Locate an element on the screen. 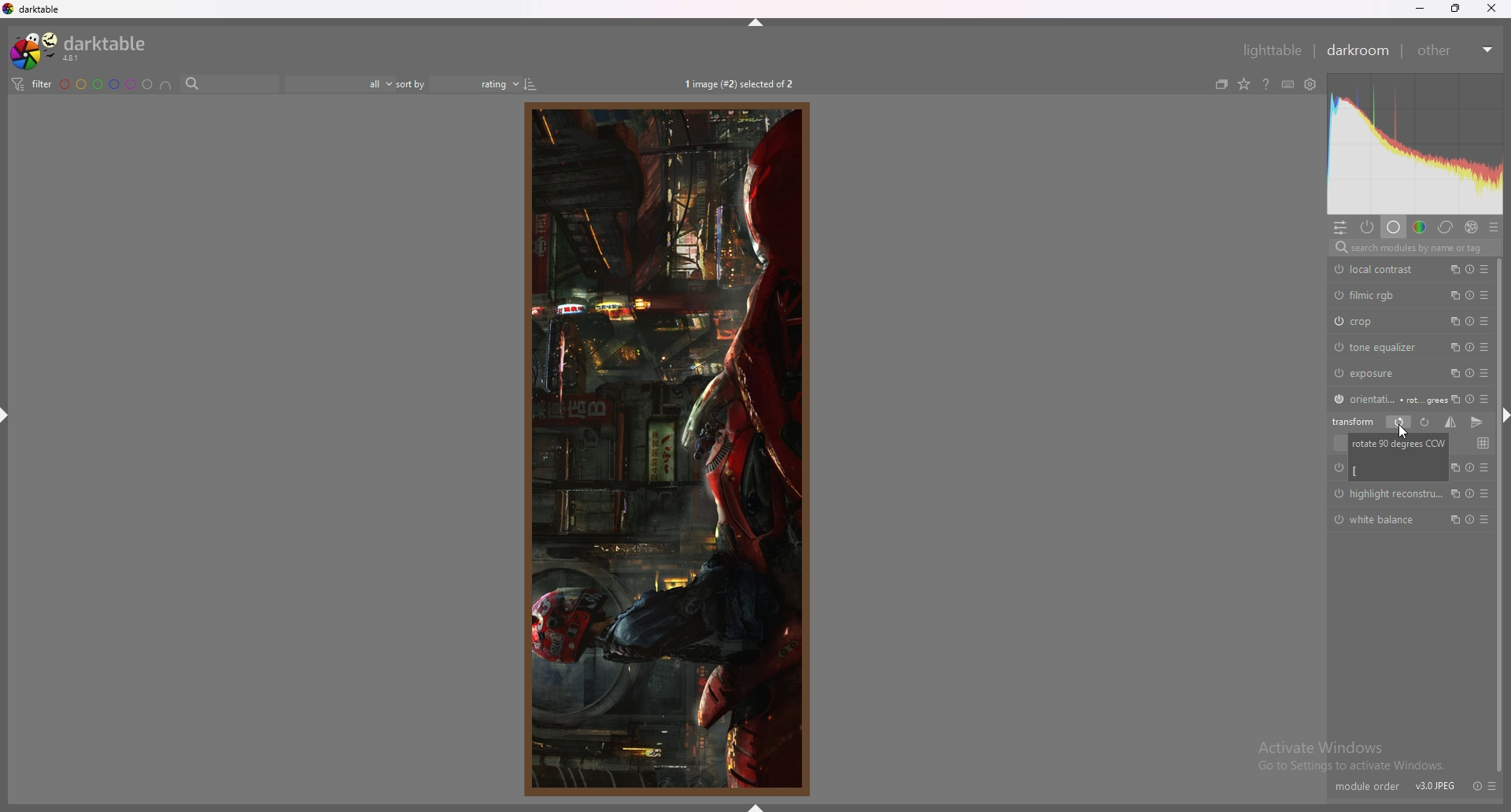 The width and height of the screenshot is (1511, 812). scroll bar is located at coordinates (1499, 511).